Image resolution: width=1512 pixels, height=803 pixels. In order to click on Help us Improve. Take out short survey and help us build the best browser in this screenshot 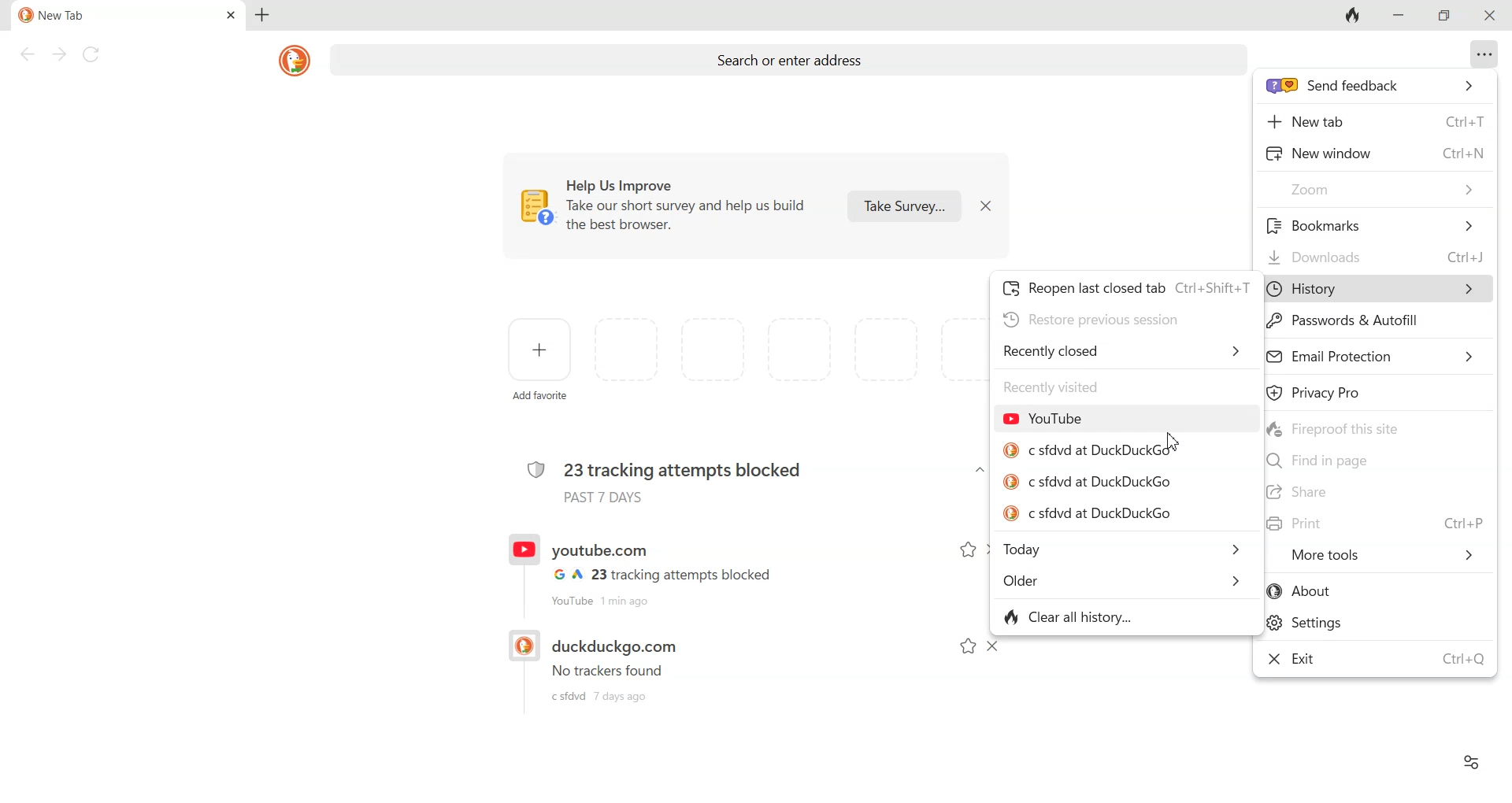, I will do `click(669, 206)`.